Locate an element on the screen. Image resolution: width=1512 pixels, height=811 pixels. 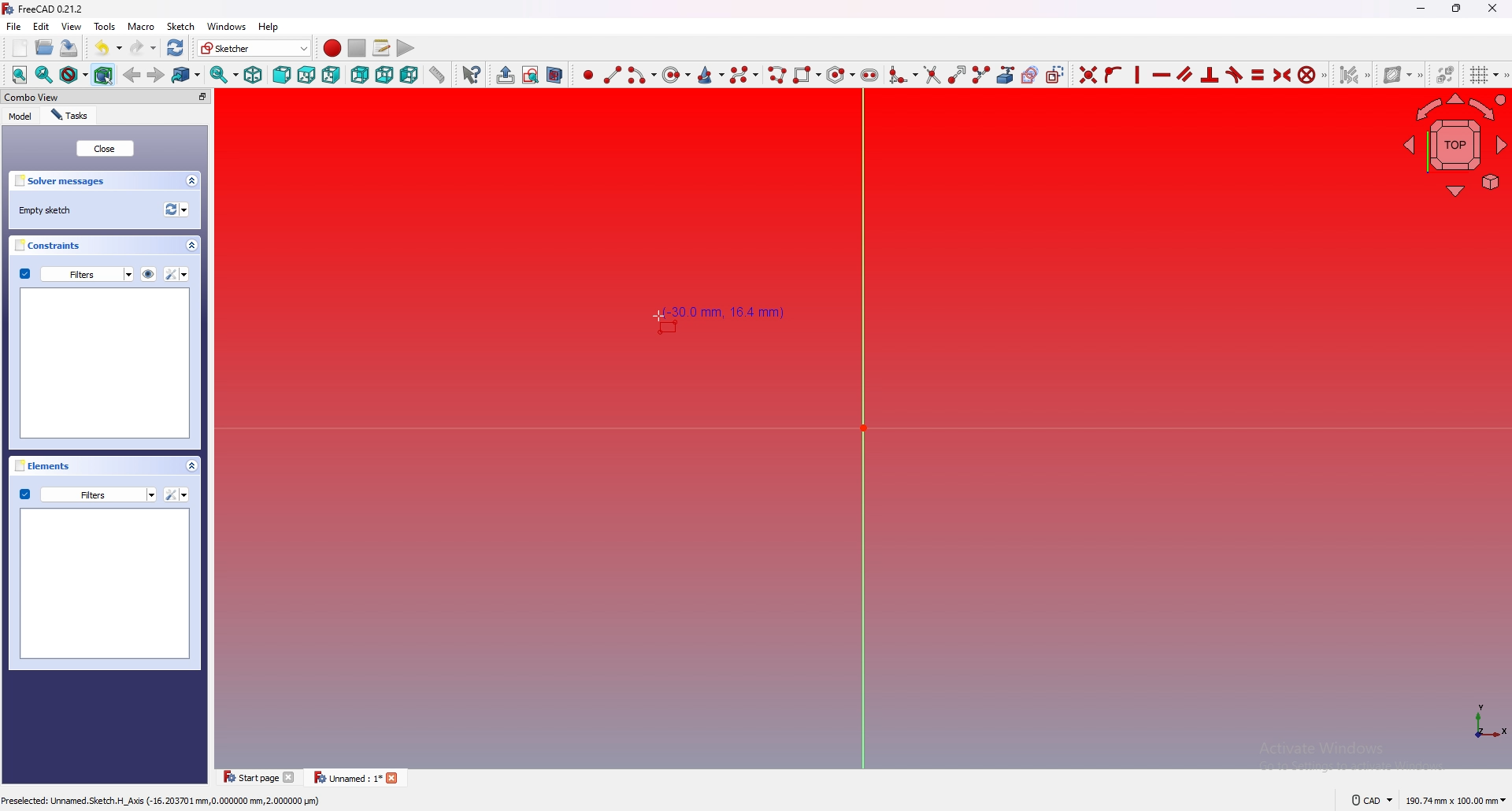
resize is located at coordinates (1457, 9).